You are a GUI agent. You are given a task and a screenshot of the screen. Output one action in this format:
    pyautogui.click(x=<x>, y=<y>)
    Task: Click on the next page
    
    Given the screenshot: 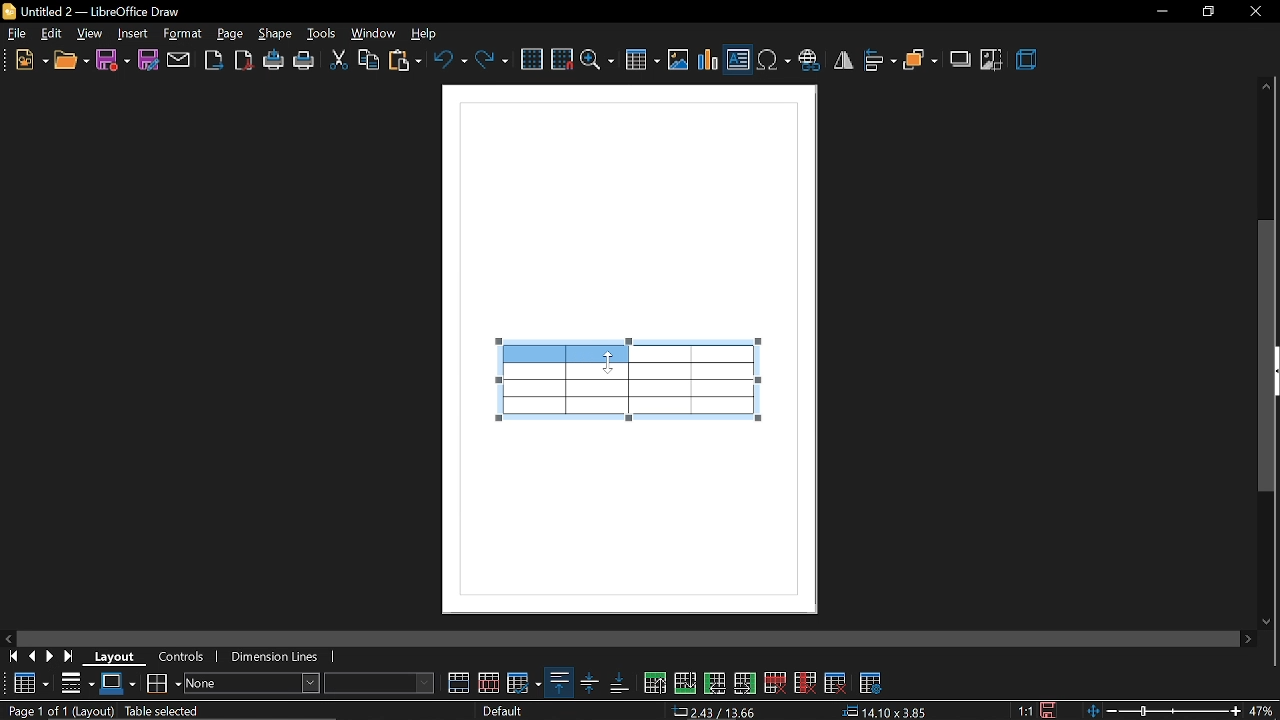 What is the action you would take?
    pyautogui.click(x=51, y=656)
    